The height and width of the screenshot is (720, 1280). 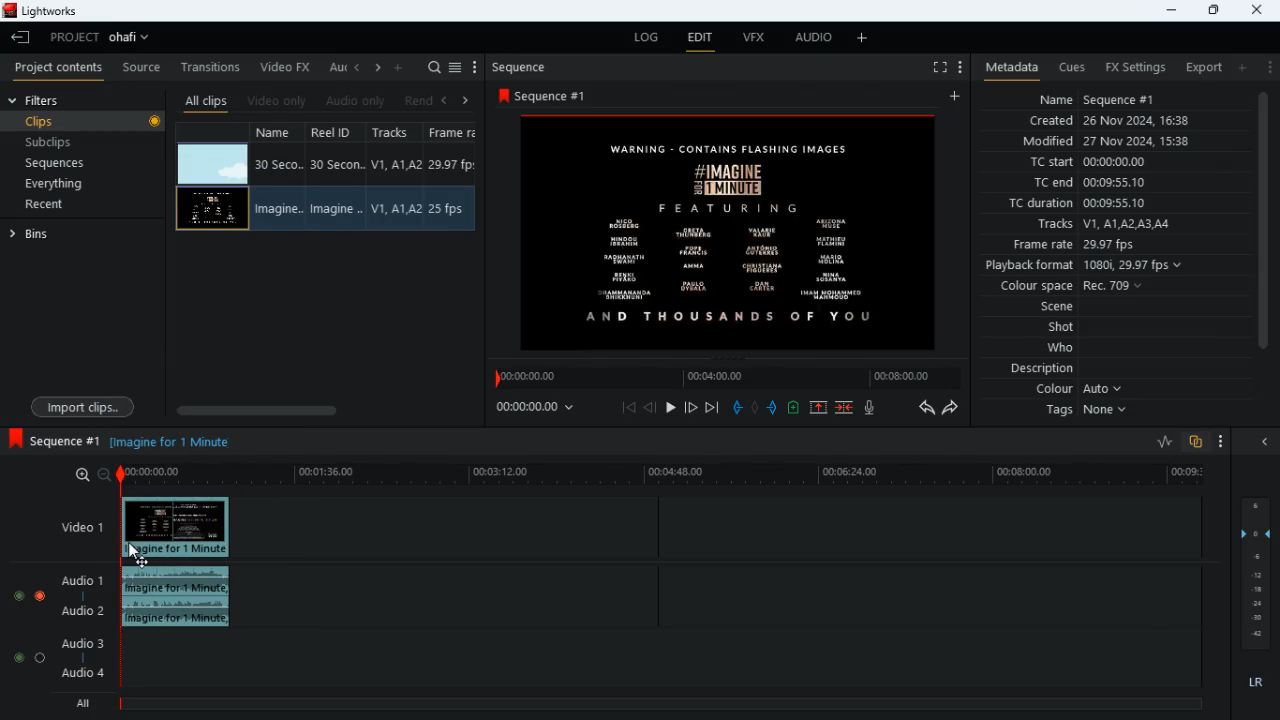 What do you see at coordinates (435, 65) in the screenshot?
I see `search` at bounding box center [435, 65].